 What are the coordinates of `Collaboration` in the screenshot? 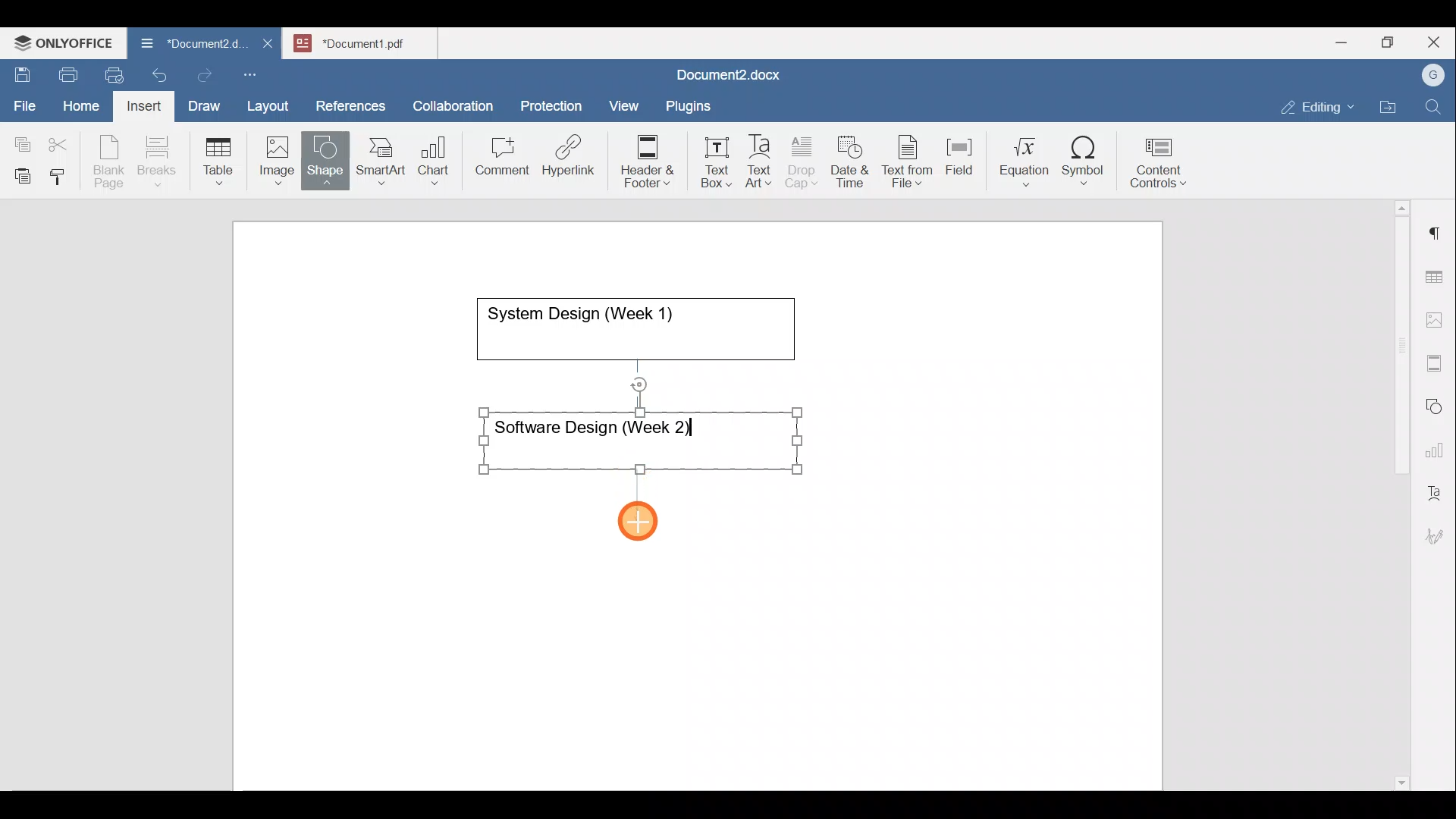 It's located at (450, 98).